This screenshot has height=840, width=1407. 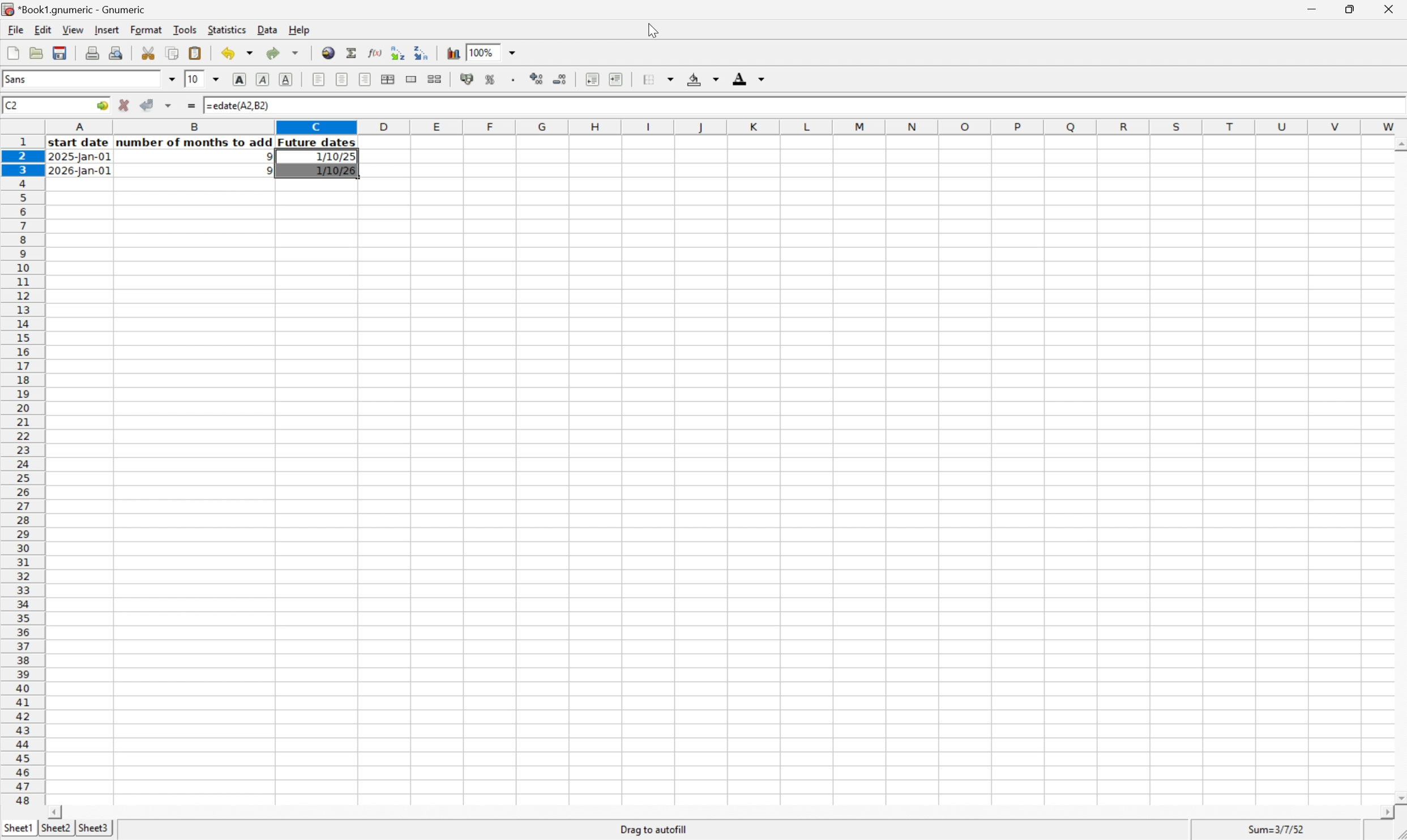 I want to click on Edit function in current cell, so click(x=372, y=52).